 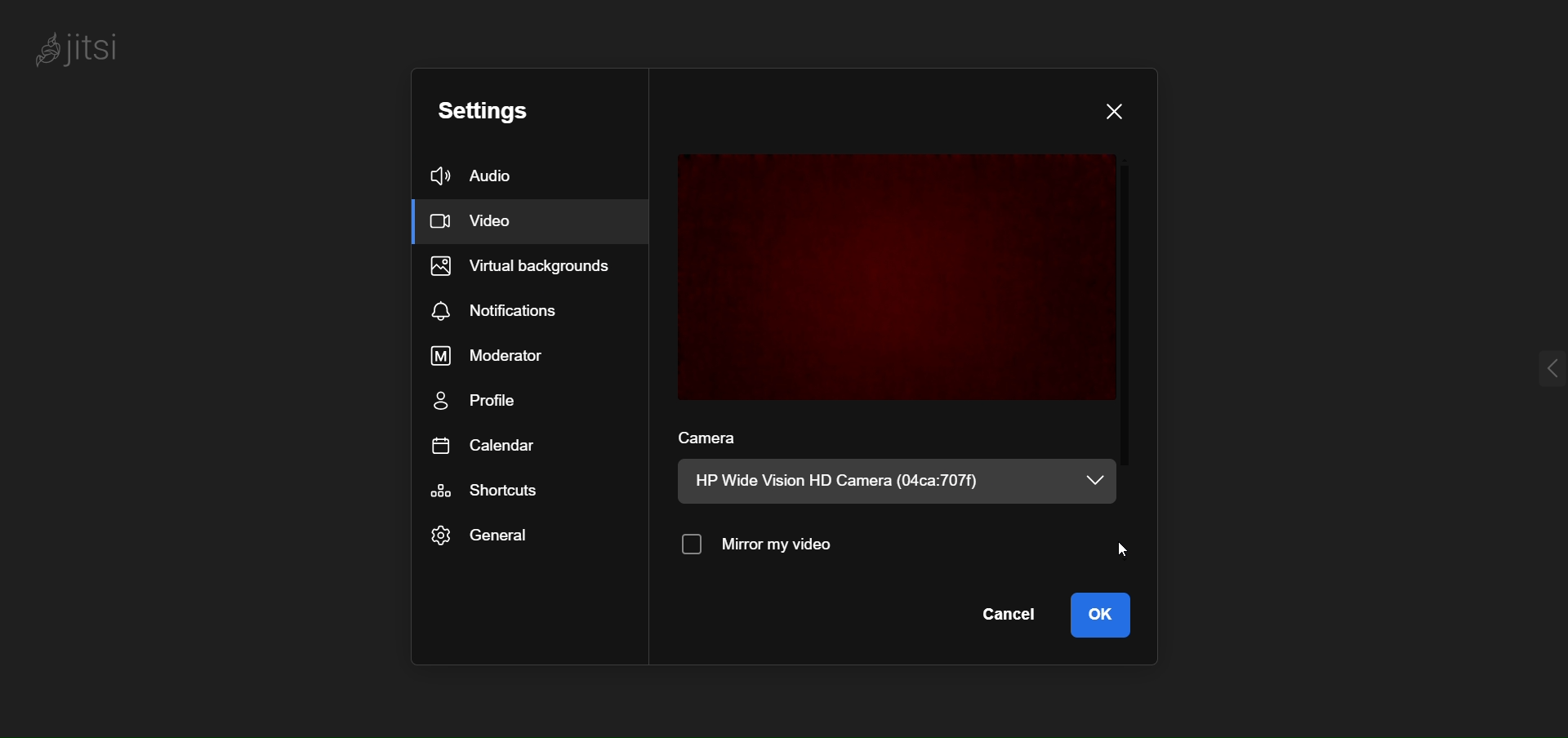 I want to click on general, so click(x=481, y=537).